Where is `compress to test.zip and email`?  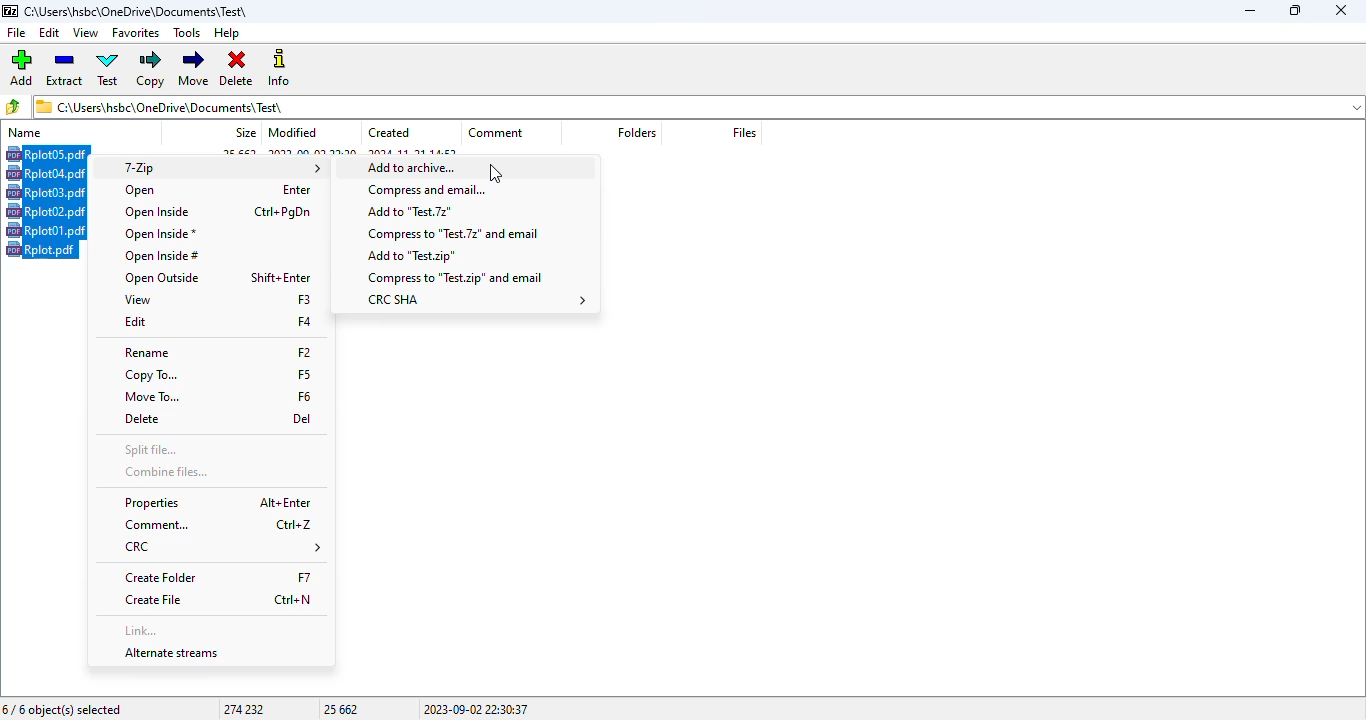 compress to test.zip and email is located at coordinates (454, 278).